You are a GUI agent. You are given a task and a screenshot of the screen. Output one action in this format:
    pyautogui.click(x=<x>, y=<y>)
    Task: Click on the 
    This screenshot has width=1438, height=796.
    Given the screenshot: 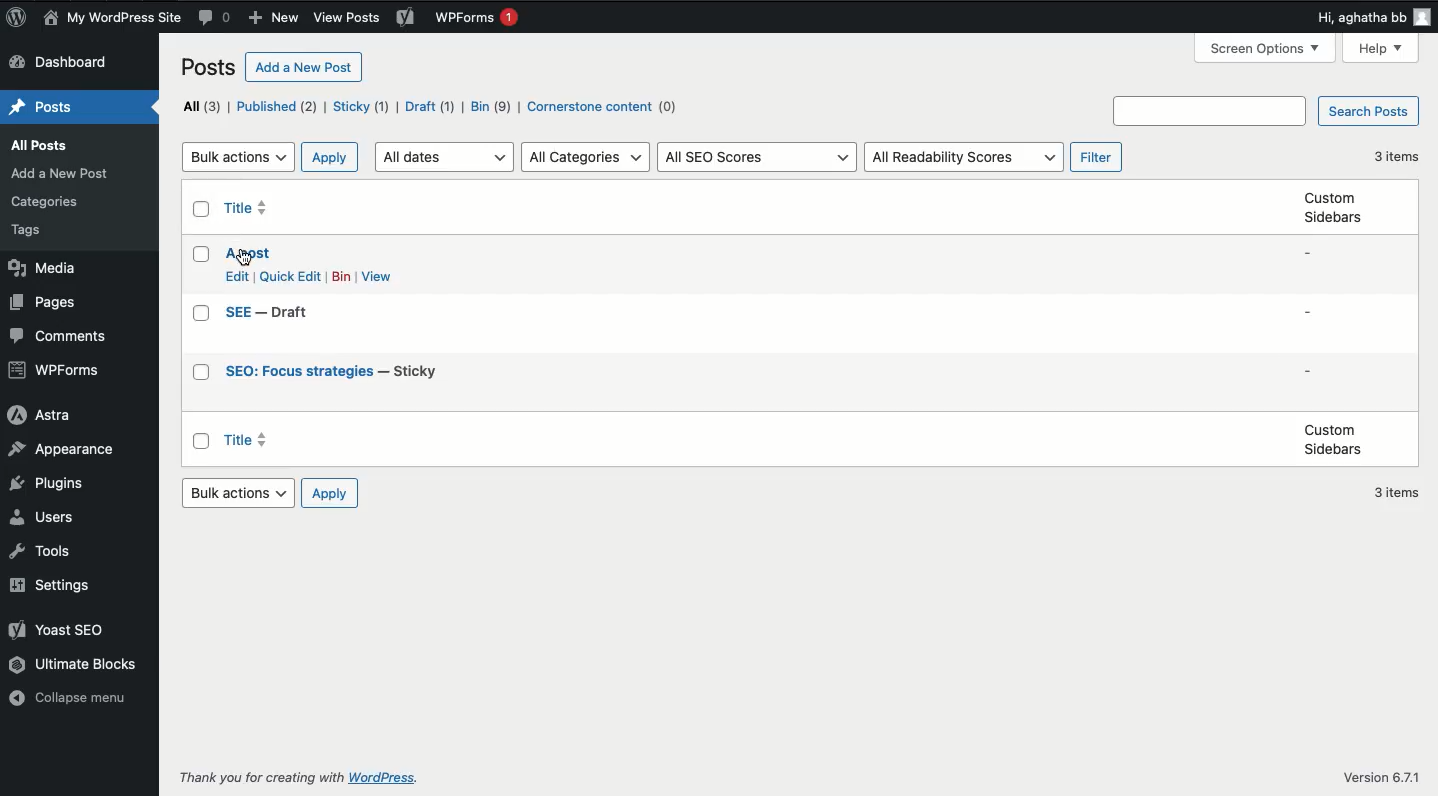 What is the action you would take?
    pyautogui.click(x=51, y=202)
    